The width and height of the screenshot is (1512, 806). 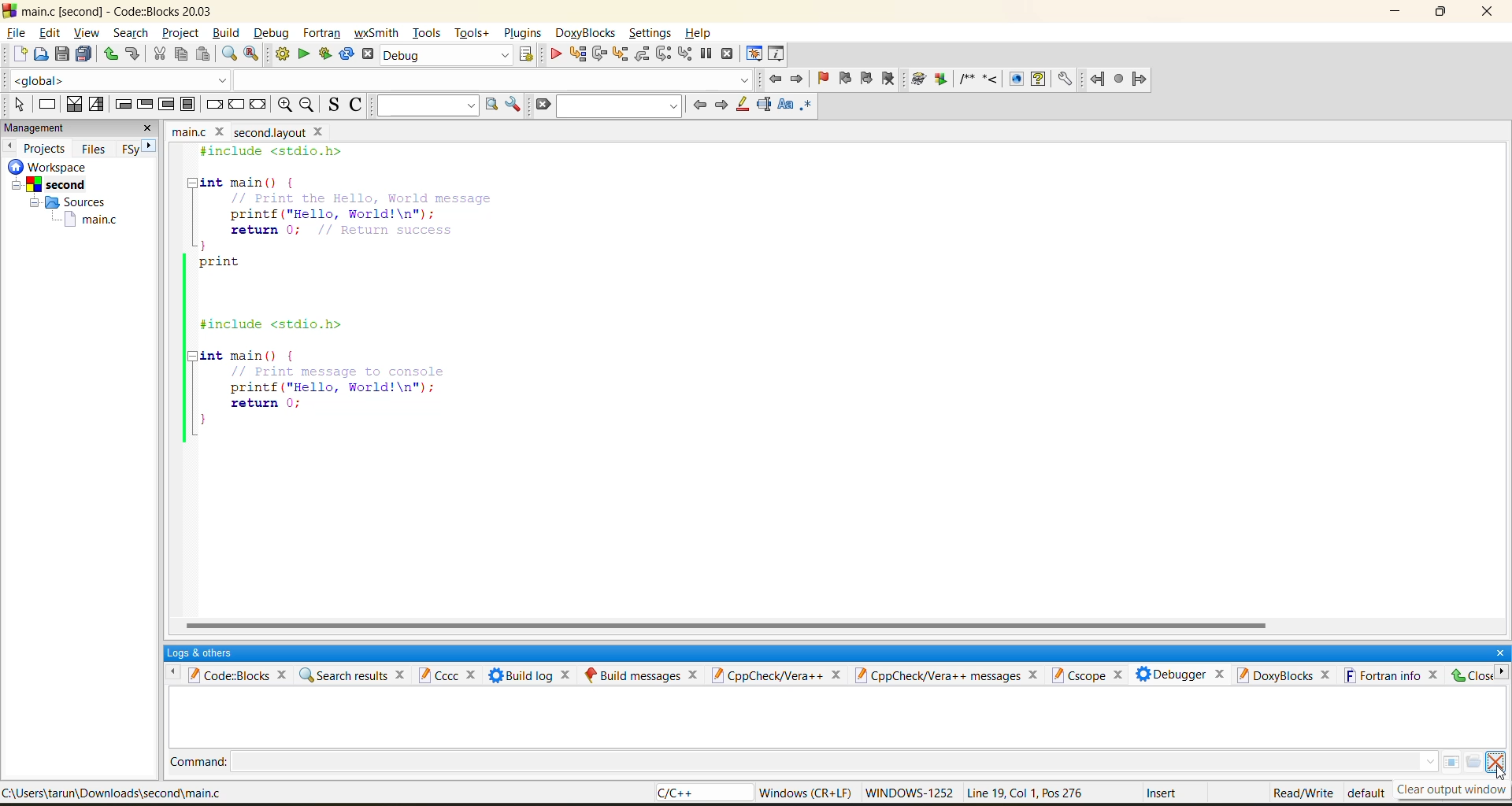 I want to click on break debugger, so click(x=709, y=54).